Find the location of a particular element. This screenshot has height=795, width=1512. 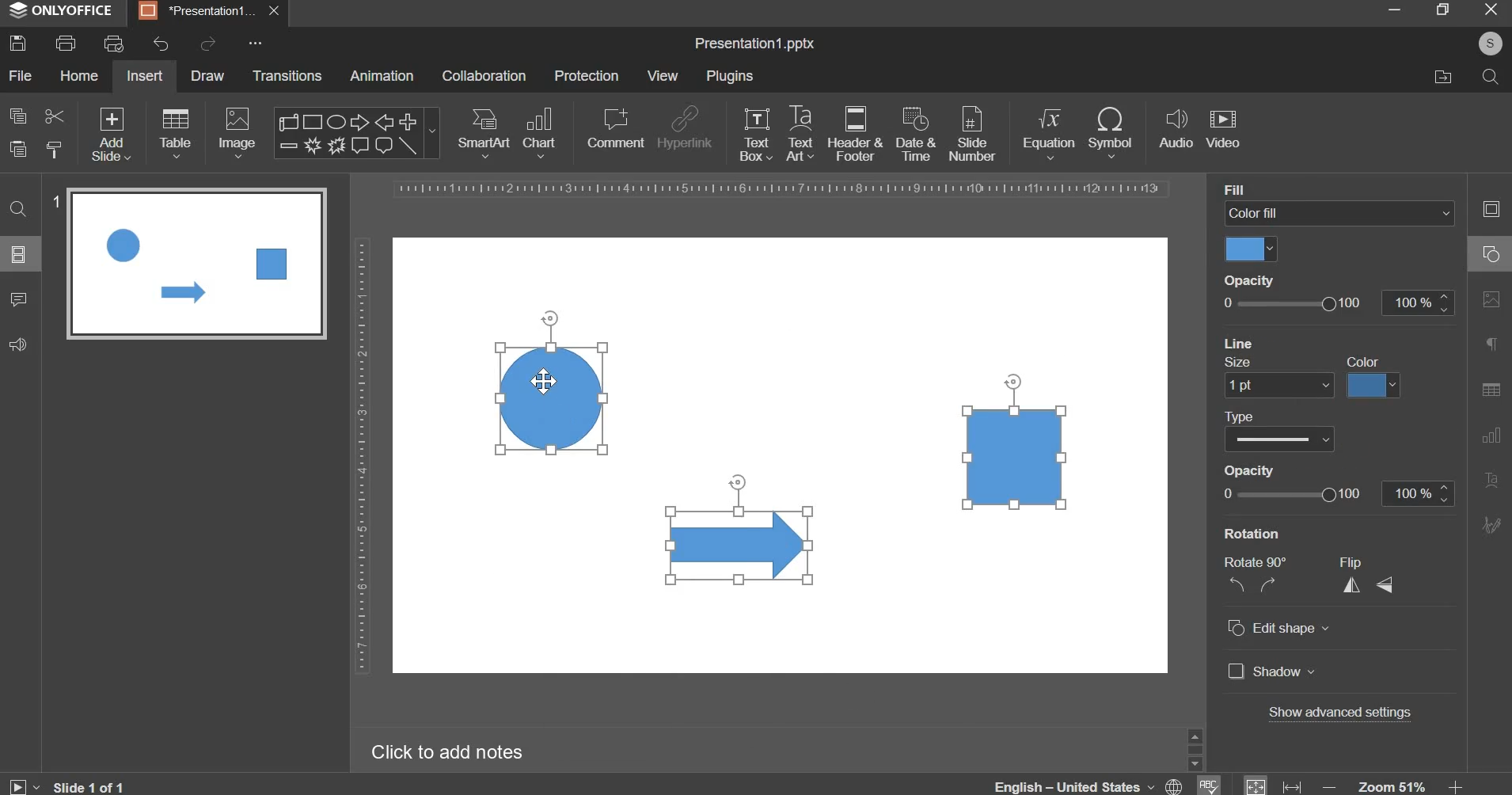

opacity is located at coordinates (1335, 302).